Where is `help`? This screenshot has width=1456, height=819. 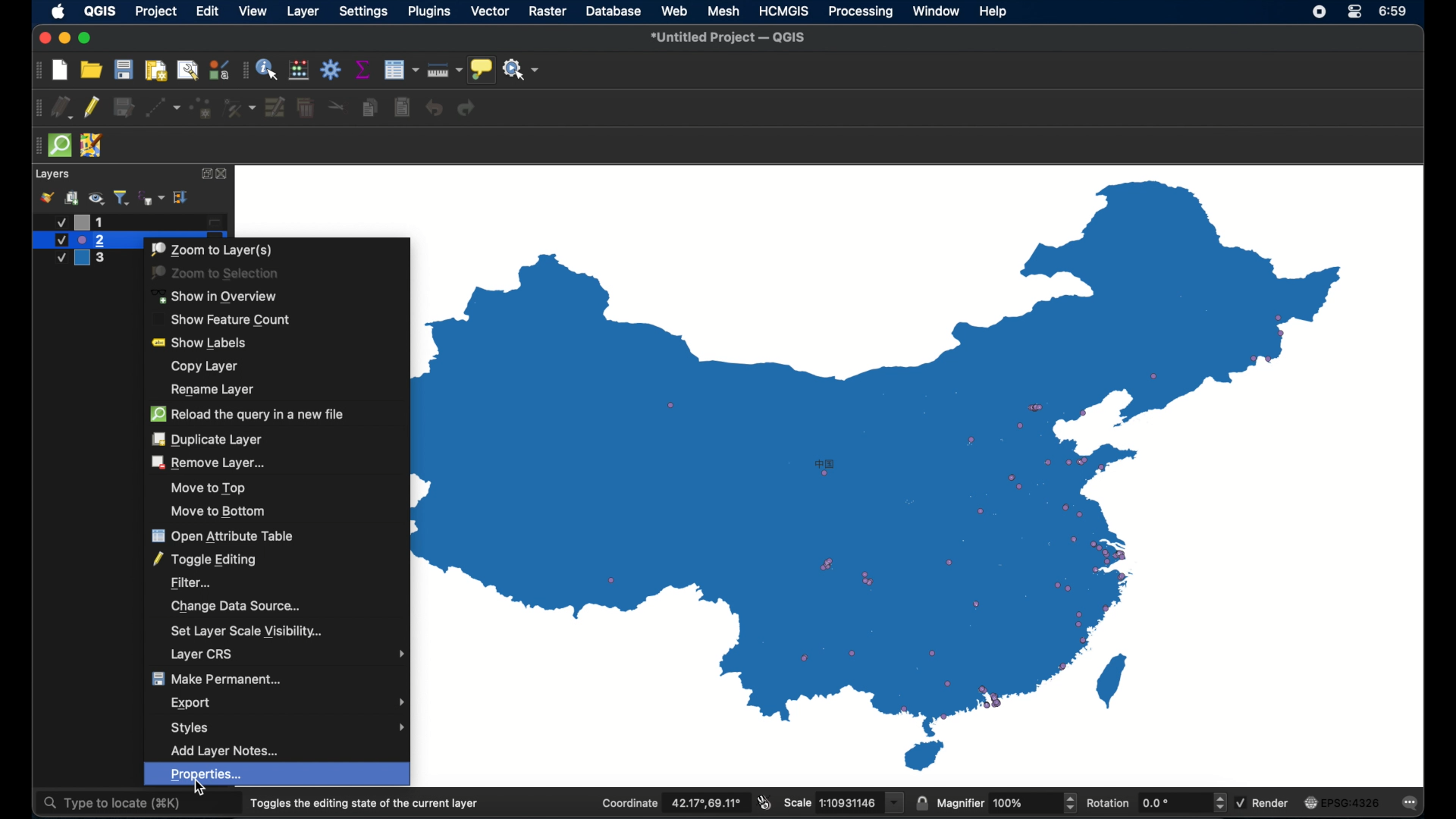 help is located at coordinates (994, 11).